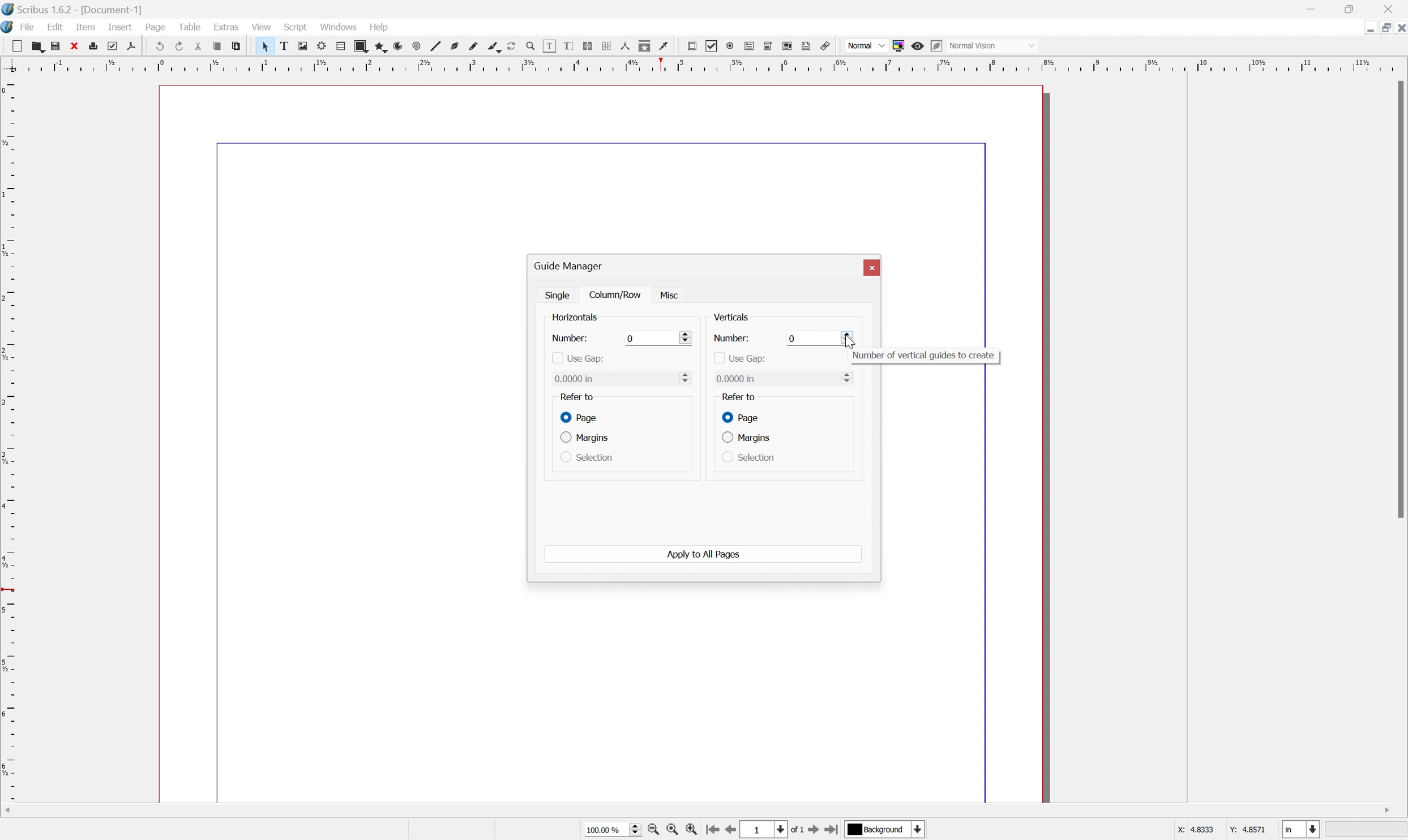 This screenshot has width=1408, height=840. What do you see at coordinates (825, 46) in the screenshot?
I see `link annotation` at bounding box center [825, 46].